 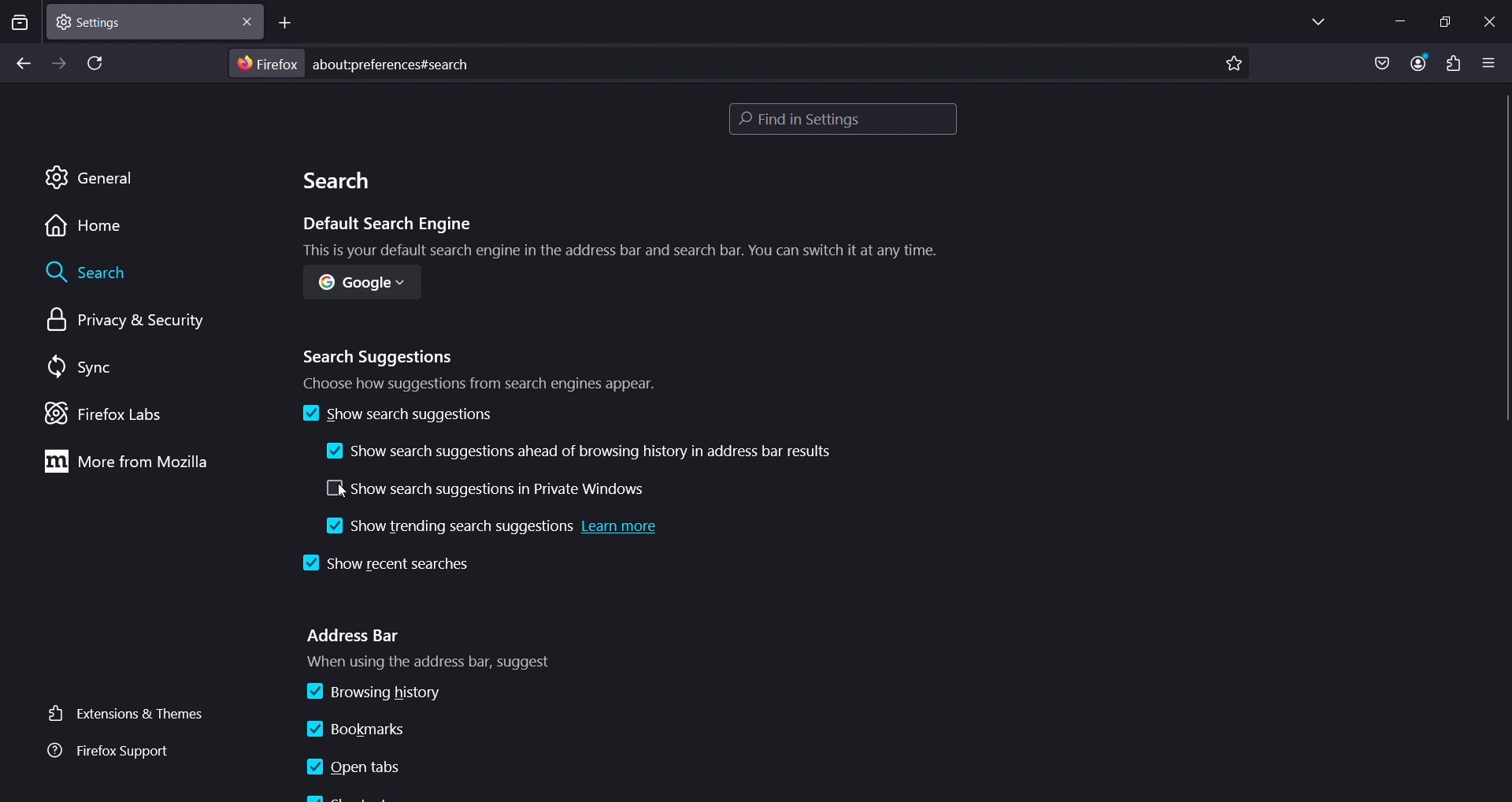 What do you see at coordinates (250, 20) in the screenshot?
I see `close tab` at bounding box center [250, 20].